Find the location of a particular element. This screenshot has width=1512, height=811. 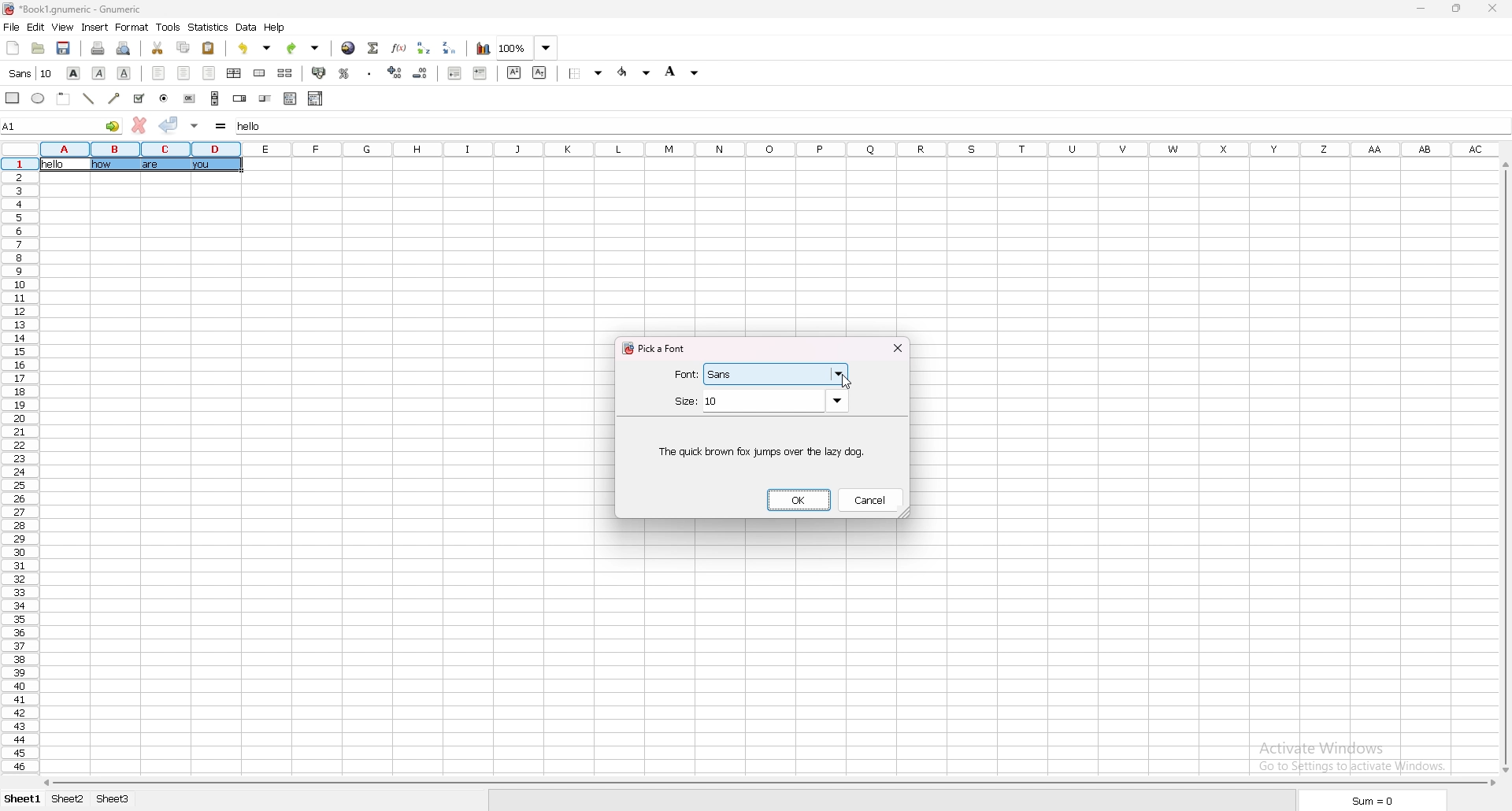

rectangle is located at coordinates (12, 98).